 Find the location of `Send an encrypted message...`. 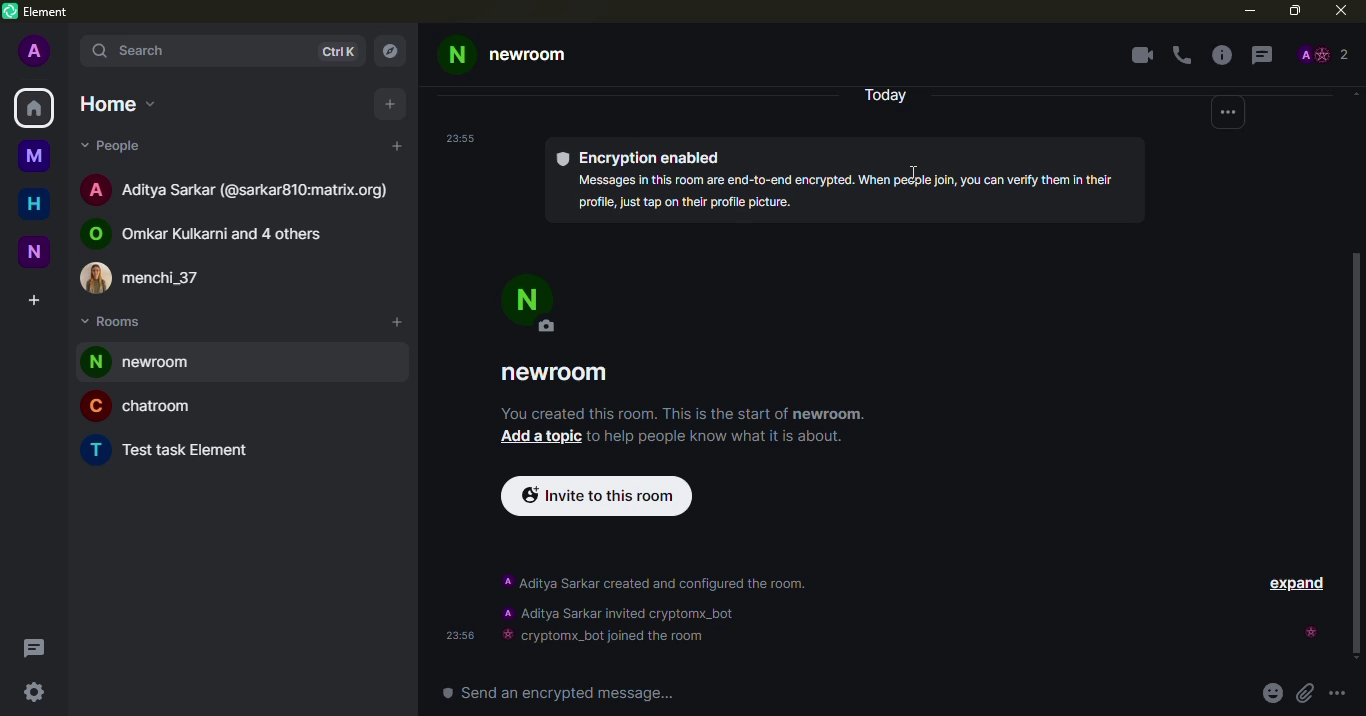

Send an encrypted message... is located at coordinates (559, 694).